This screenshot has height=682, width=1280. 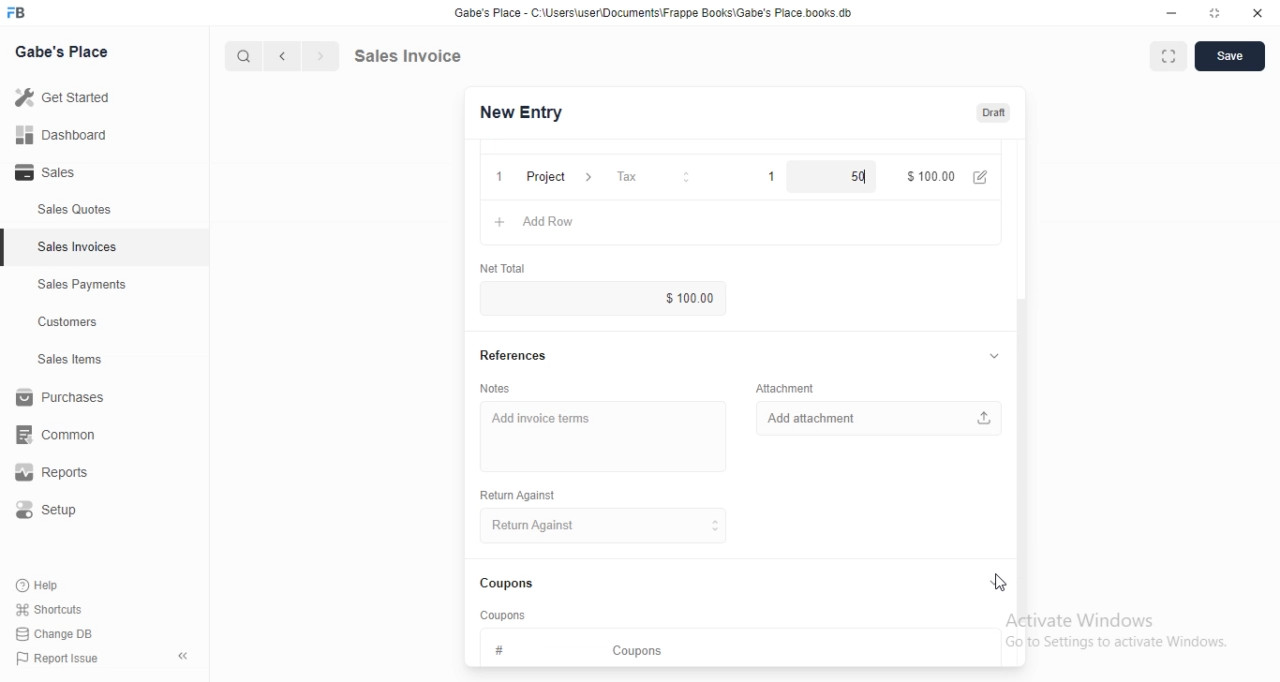 What do you see at coordinates (983, 177) in the screenshot?
I see `edit` at bounding box center [983, 177].